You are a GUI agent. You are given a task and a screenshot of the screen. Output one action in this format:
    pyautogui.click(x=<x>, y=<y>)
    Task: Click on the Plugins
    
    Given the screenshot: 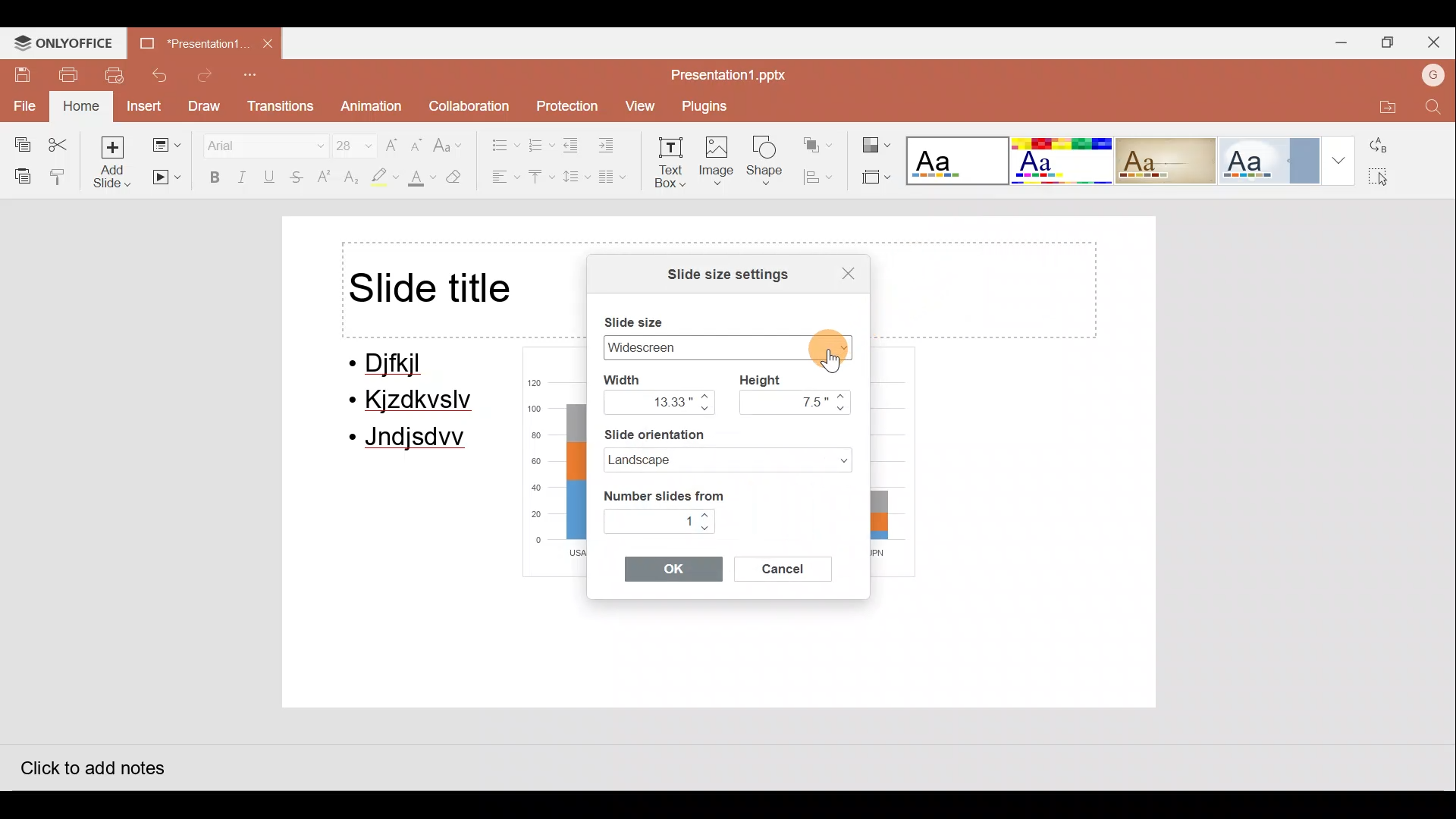 What is the action you would take?
    pyautogui.click(x=709, y=106)
    